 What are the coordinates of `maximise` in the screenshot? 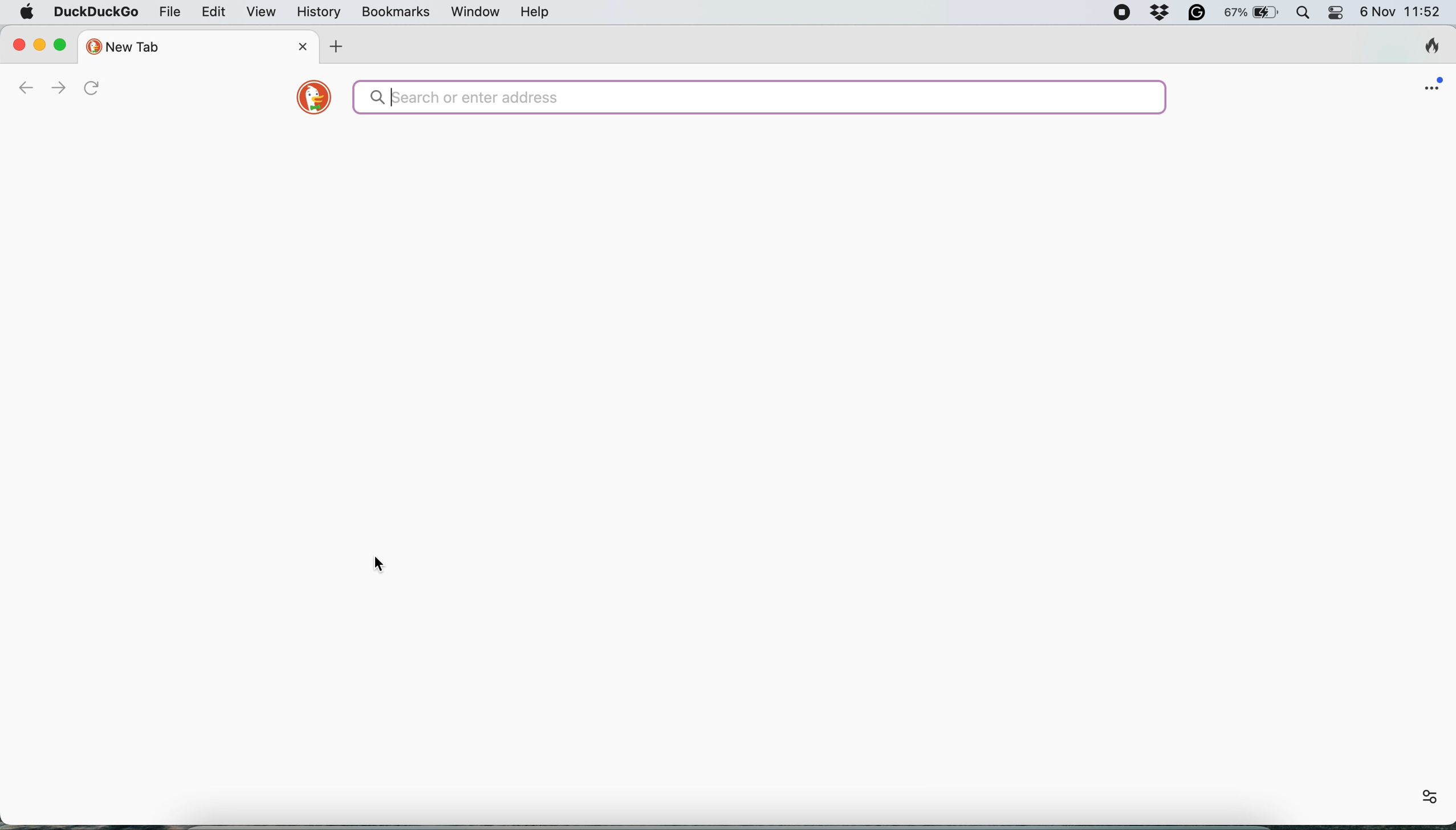 It's located at (64, 46).